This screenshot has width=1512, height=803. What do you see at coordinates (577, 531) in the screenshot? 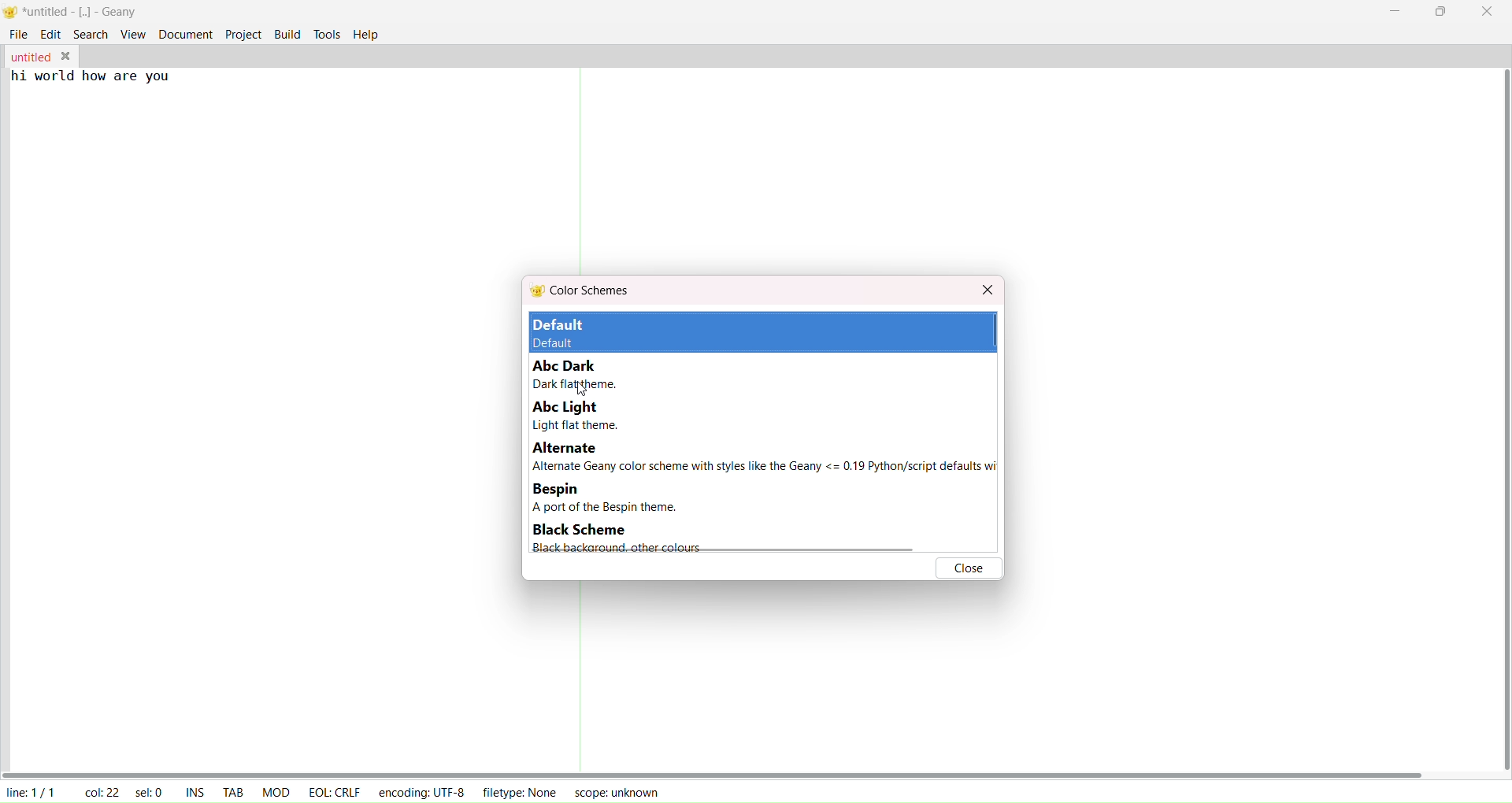
I see `black scheme` at bounding box center [577, 531].